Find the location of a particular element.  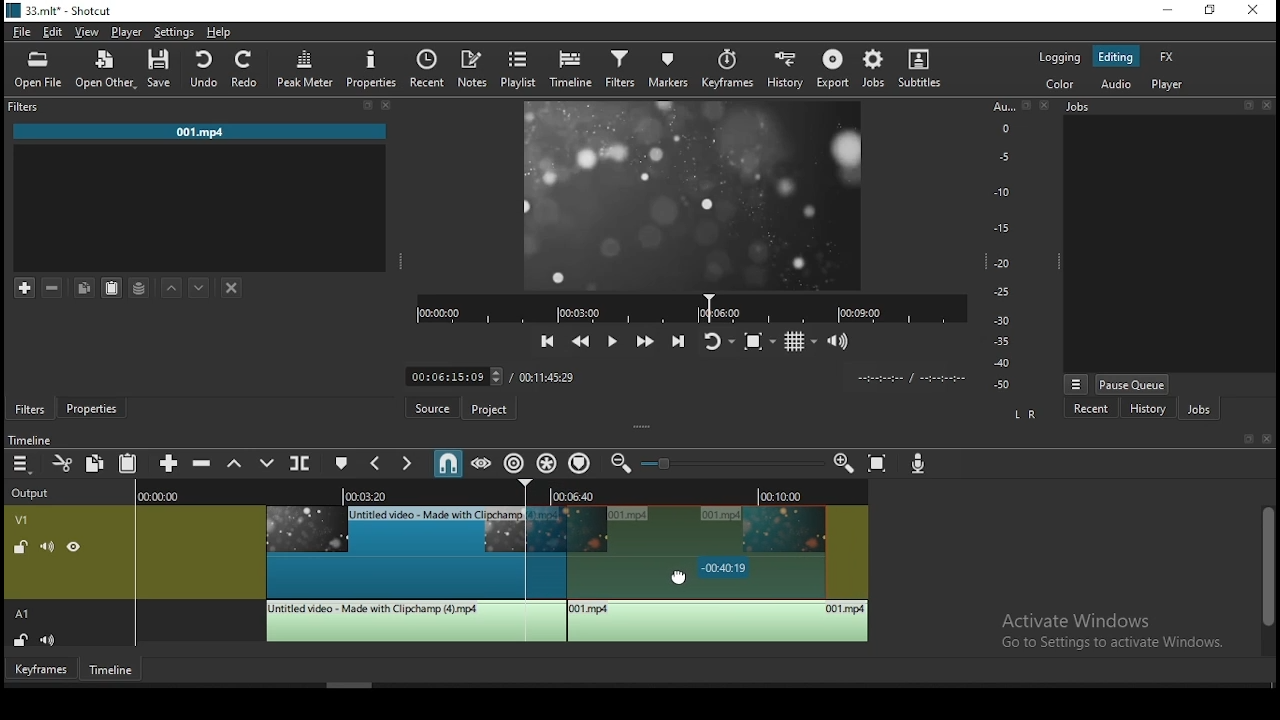

lift is located at coordinates (235, 464).